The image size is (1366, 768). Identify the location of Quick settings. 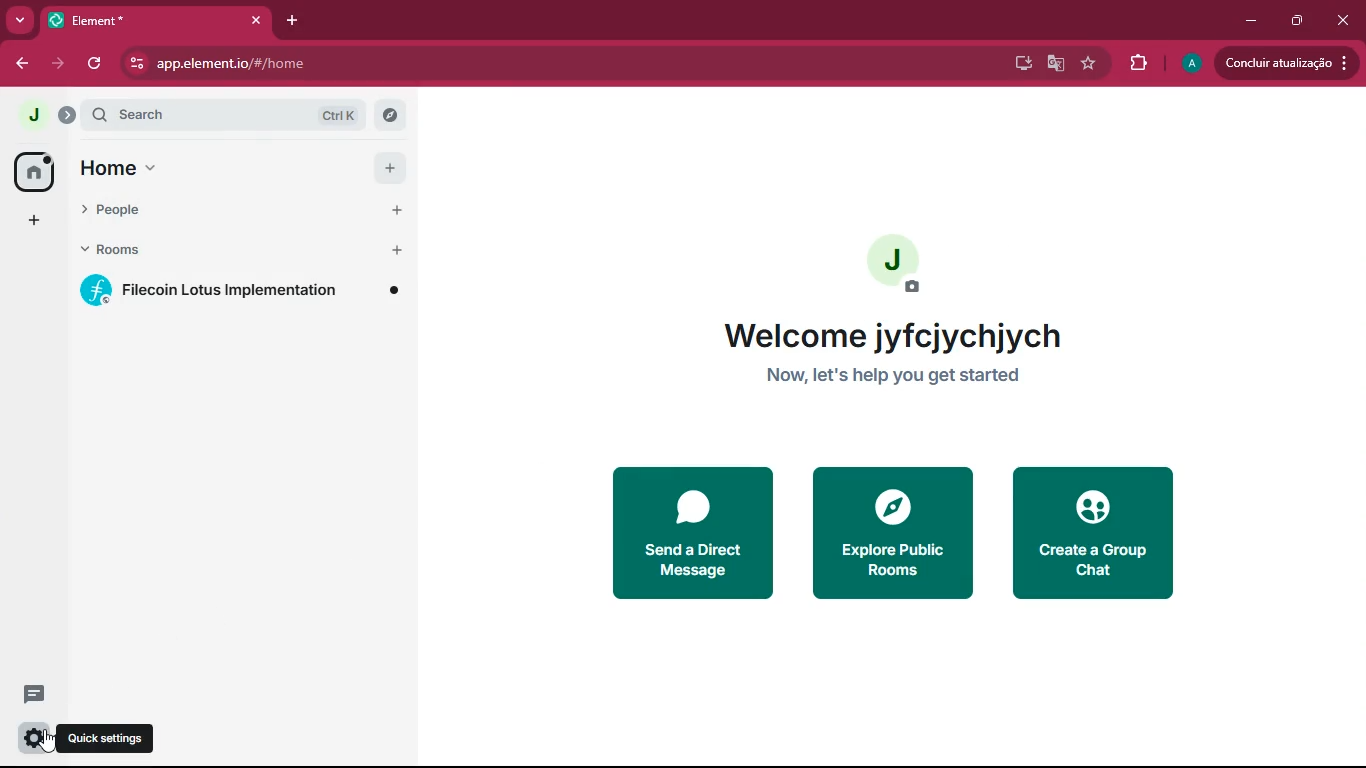
(105, 738).